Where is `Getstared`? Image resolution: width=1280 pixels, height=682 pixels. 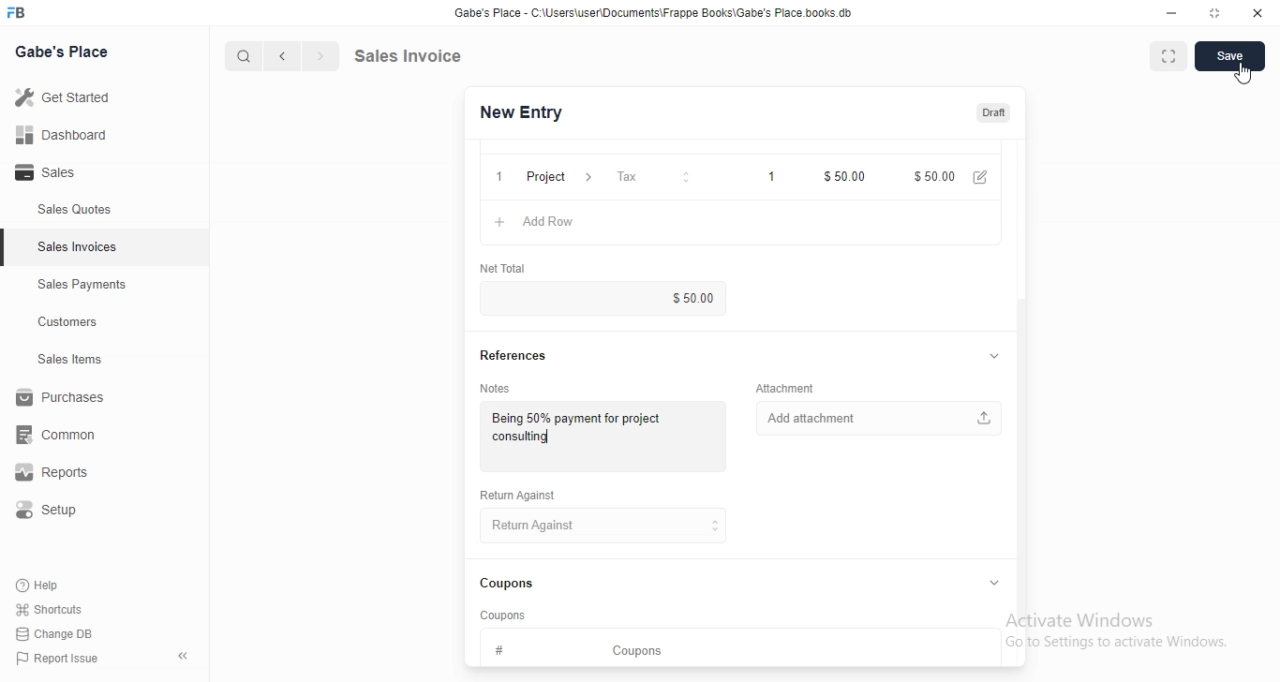 Getstared is located at coordinates (68, 99).